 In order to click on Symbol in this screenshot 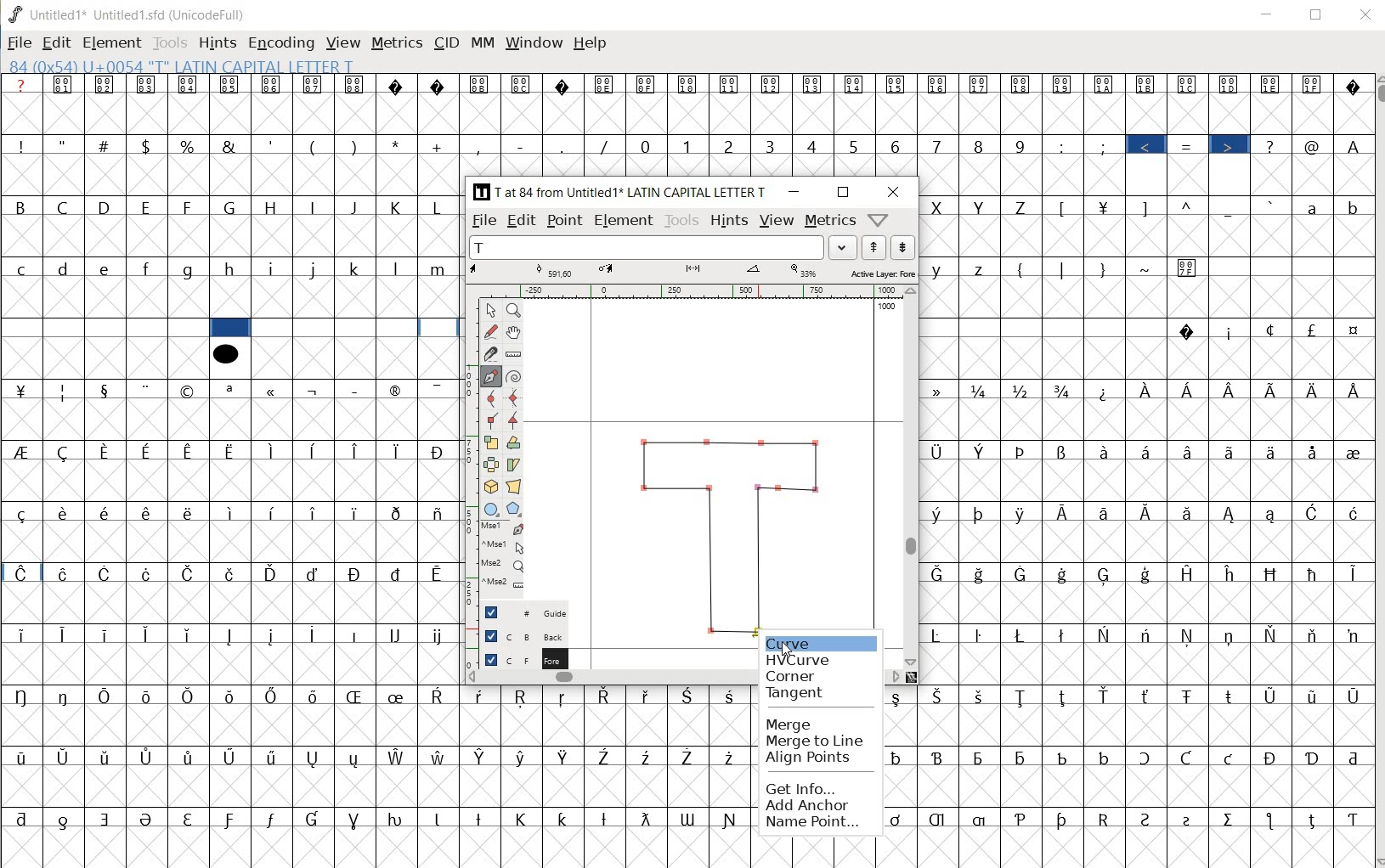, I will do `click(21, 756)`.